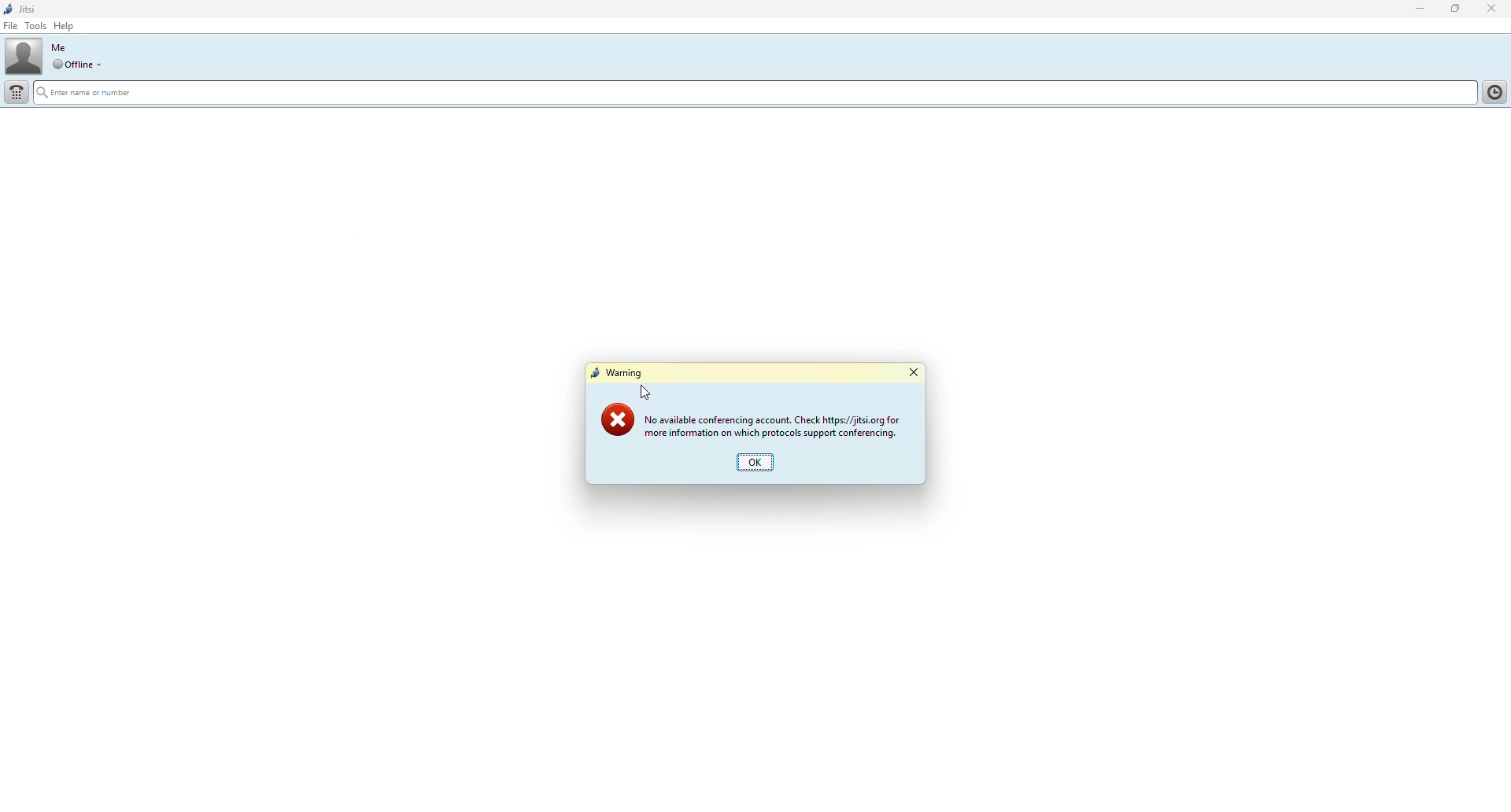  What do you see at coordinates (770, 425) in the screenshot?
I see `error message` at bounding box center [770, 425].